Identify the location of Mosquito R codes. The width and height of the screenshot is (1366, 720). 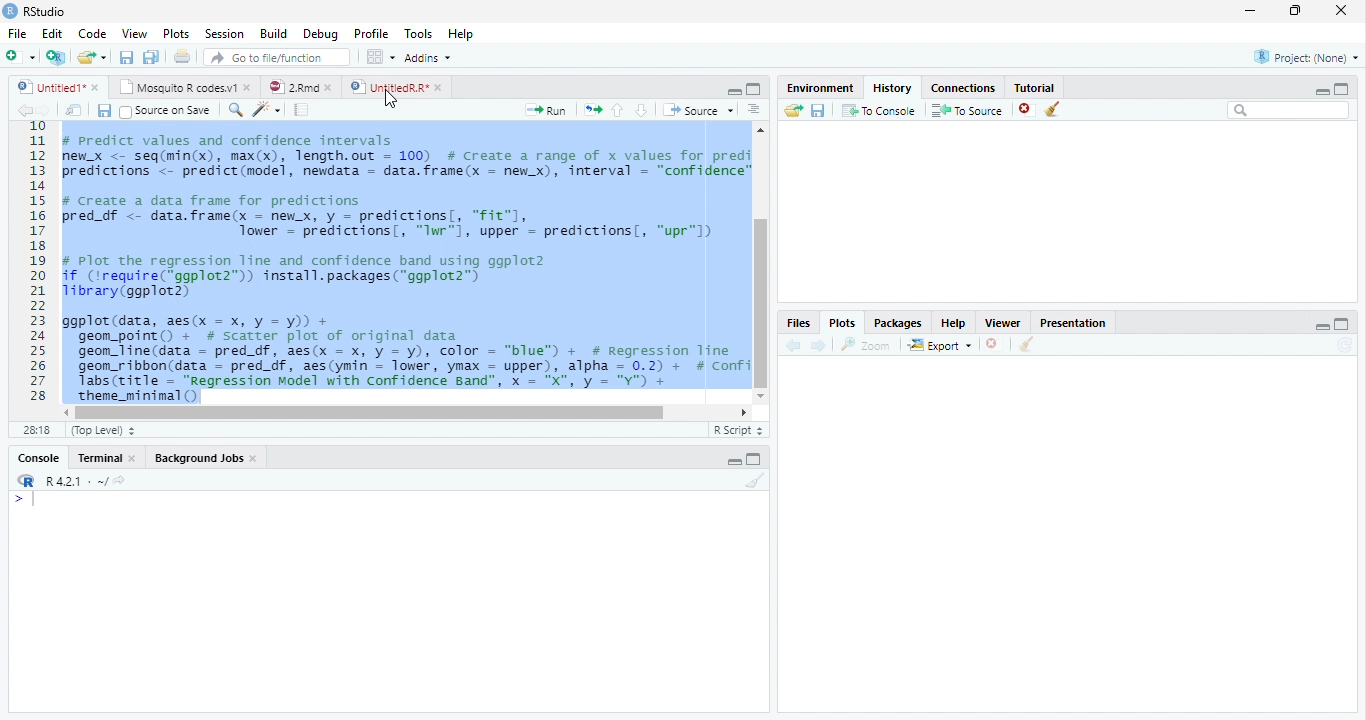
(184, 87).